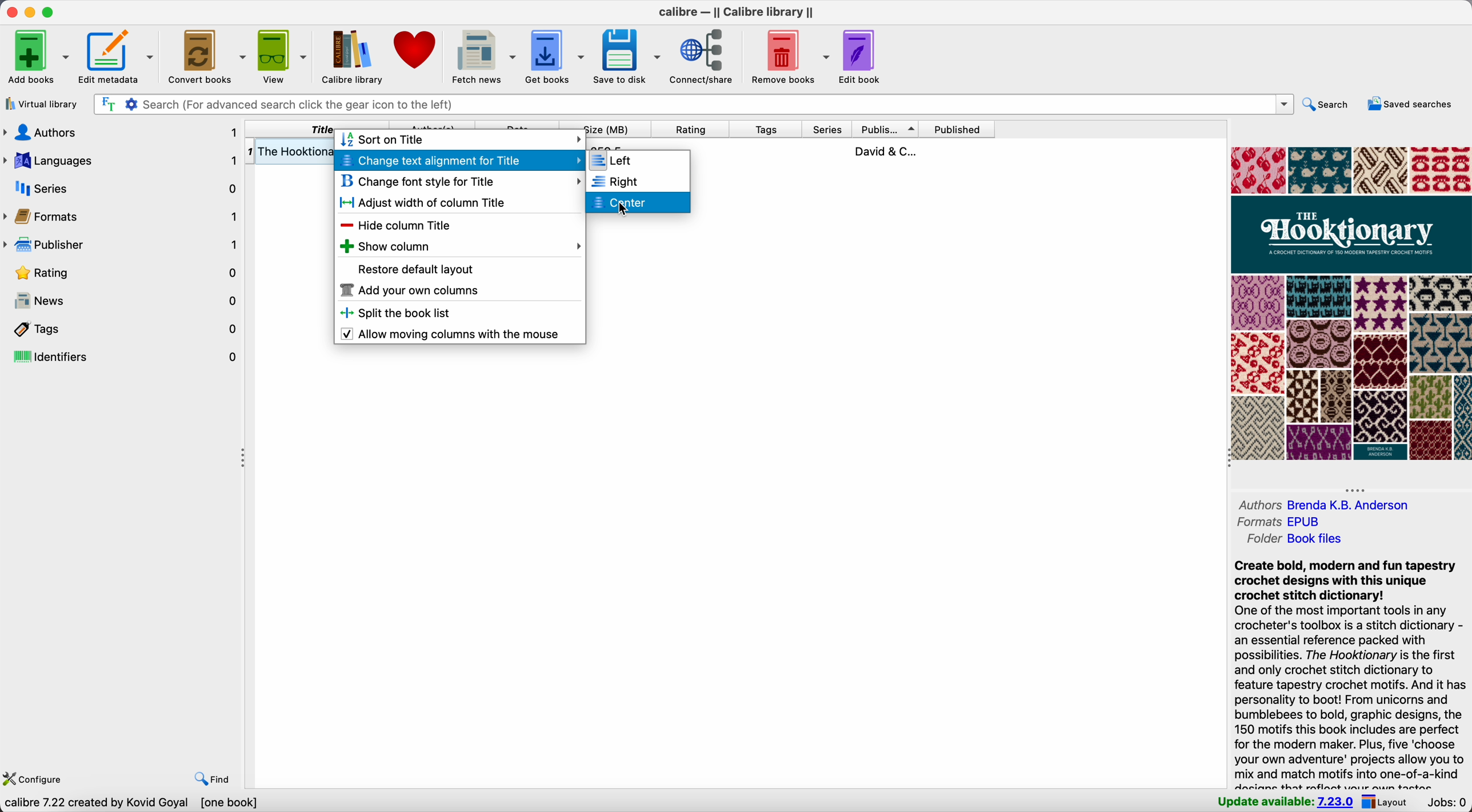 The height and width of the screenshot is (812, 1472). I want to click on split the book list, so click(398, 314).